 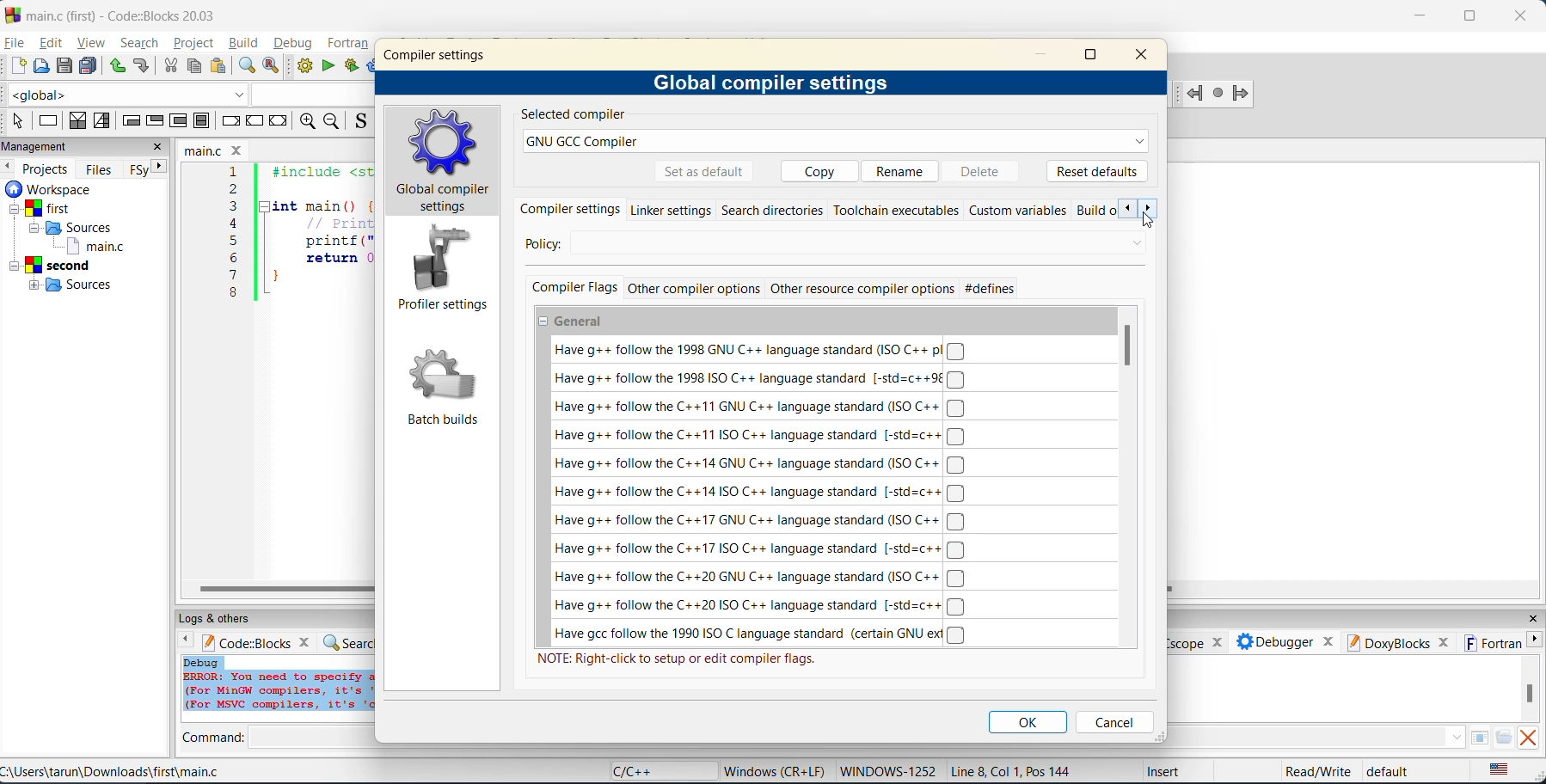 What do you see at coordinates (116, 15) in the screenshot?
I see `main.c (first) - Code::Blocks 20.03` at bounding box center [116, 15].